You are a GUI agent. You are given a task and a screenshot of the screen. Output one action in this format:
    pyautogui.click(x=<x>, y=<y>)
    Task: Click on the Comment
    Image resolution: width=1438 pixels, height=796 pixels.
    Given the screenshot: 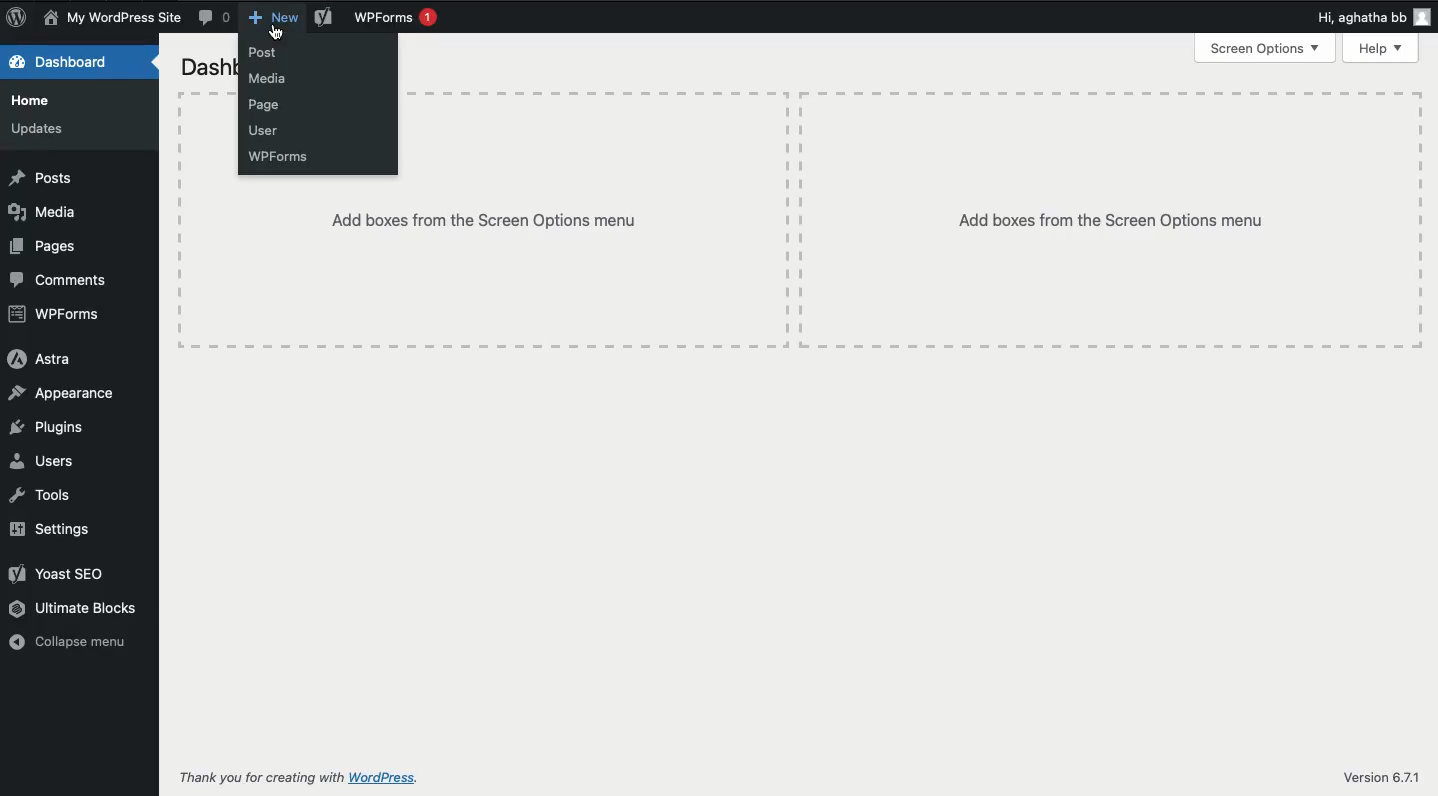 What is the action you would take?
    pyautogui.click(x=216, y=17)
    